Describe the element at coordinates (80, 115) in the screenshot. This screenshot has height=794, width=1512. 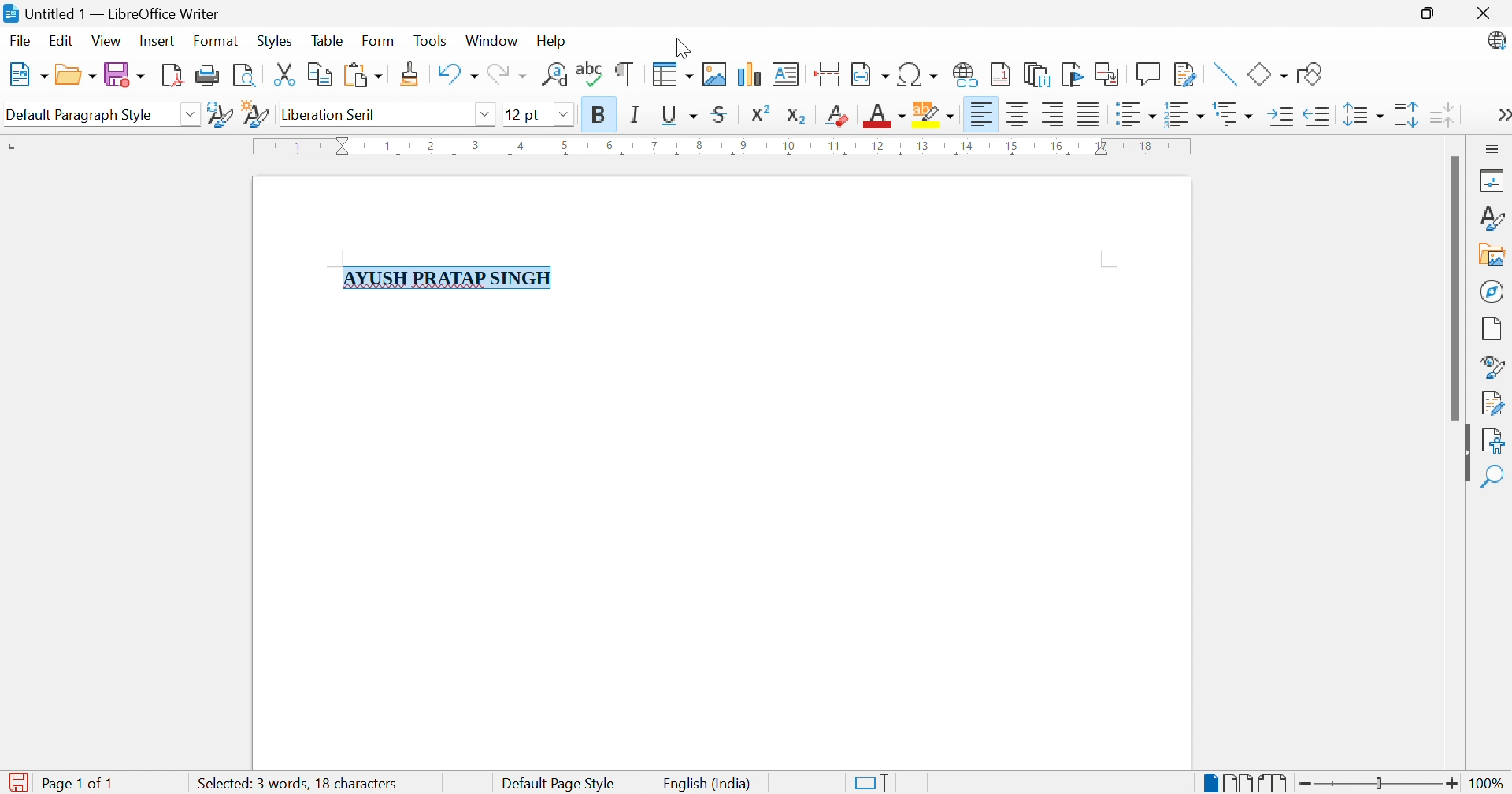
I see `Default Paragraph Style` at that location.